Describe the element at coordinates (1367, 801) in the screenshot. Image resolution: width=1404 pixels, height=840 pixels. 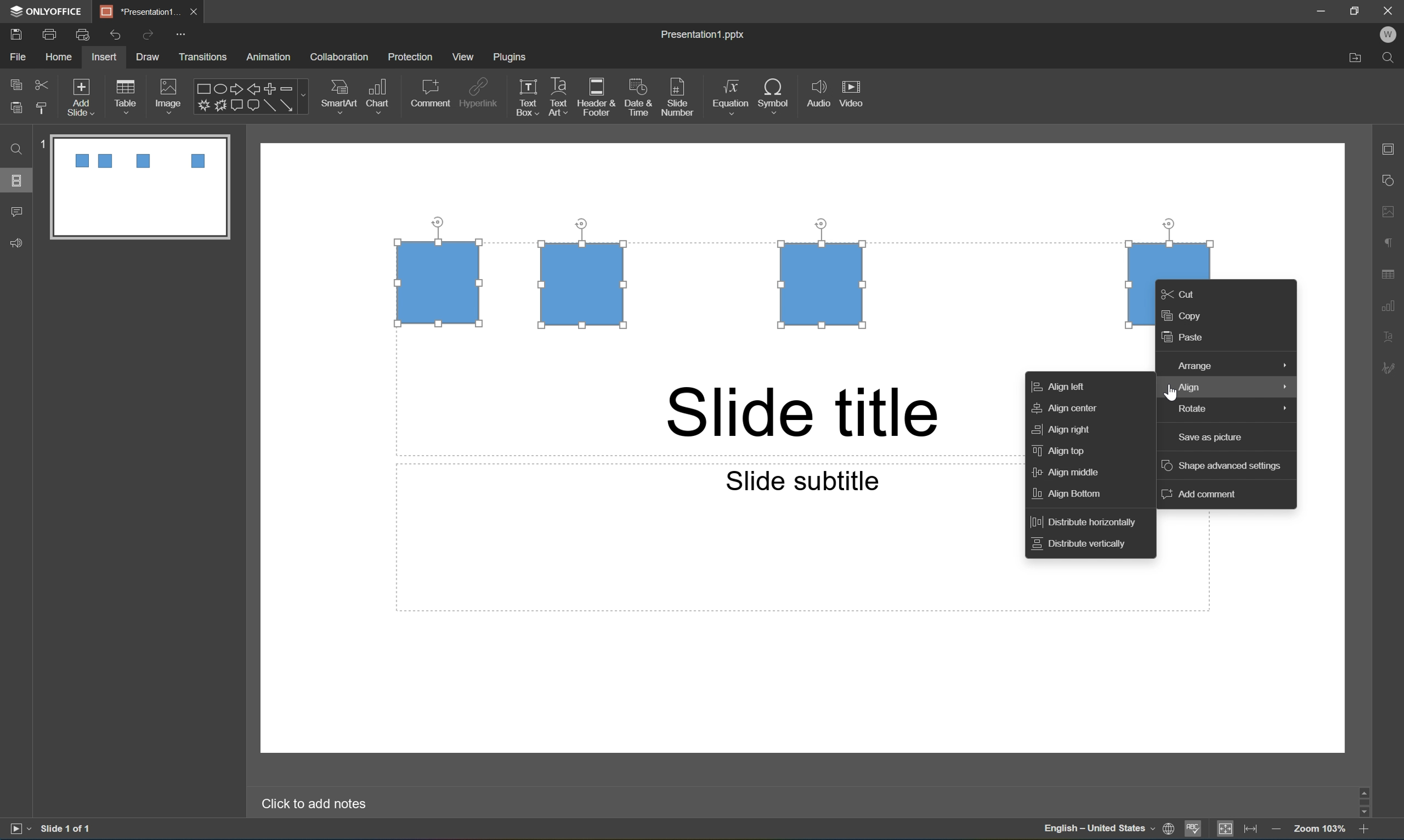
I see `scroll bar` at that location.